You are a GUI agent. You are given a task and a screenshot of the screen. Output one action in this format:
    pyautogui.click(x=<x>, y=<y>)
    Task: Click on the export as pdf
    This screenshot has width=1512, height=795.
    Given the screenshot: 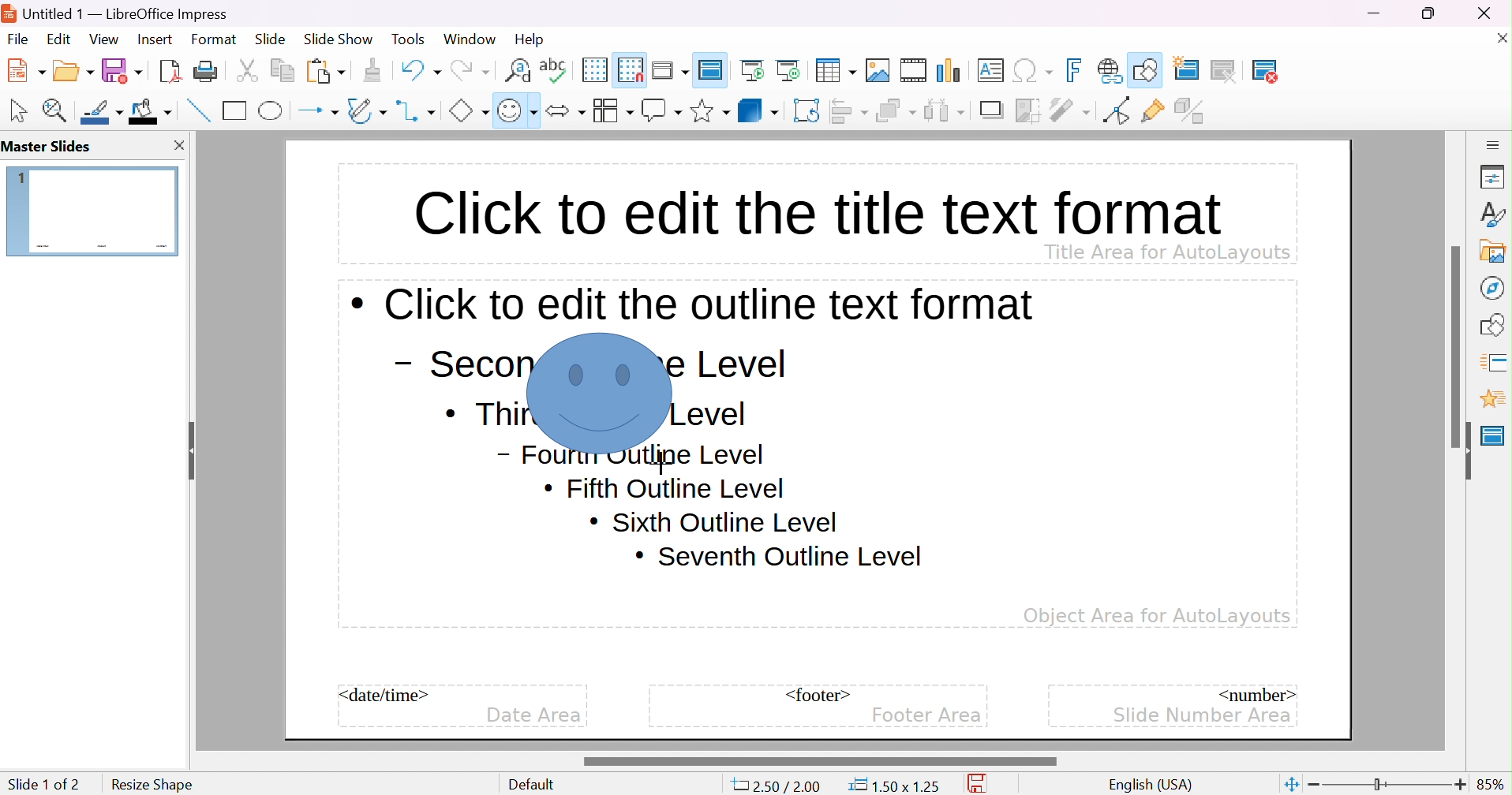 What is the action you would take?
    pyautogui.click(x=168, y=70)
    